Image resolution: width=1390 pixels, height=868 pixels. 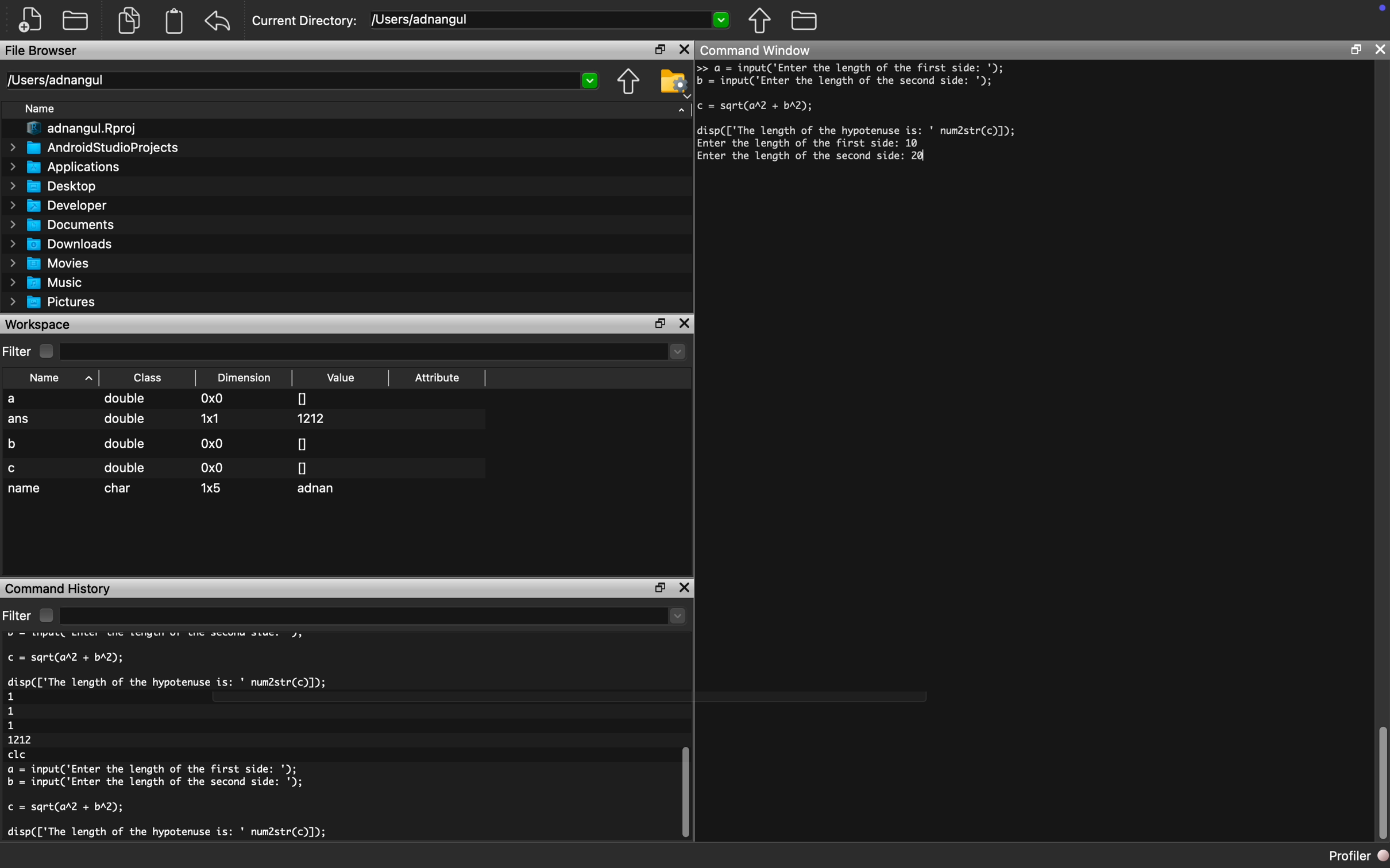 I want to click on checkbox, so click(x=45, y=615).